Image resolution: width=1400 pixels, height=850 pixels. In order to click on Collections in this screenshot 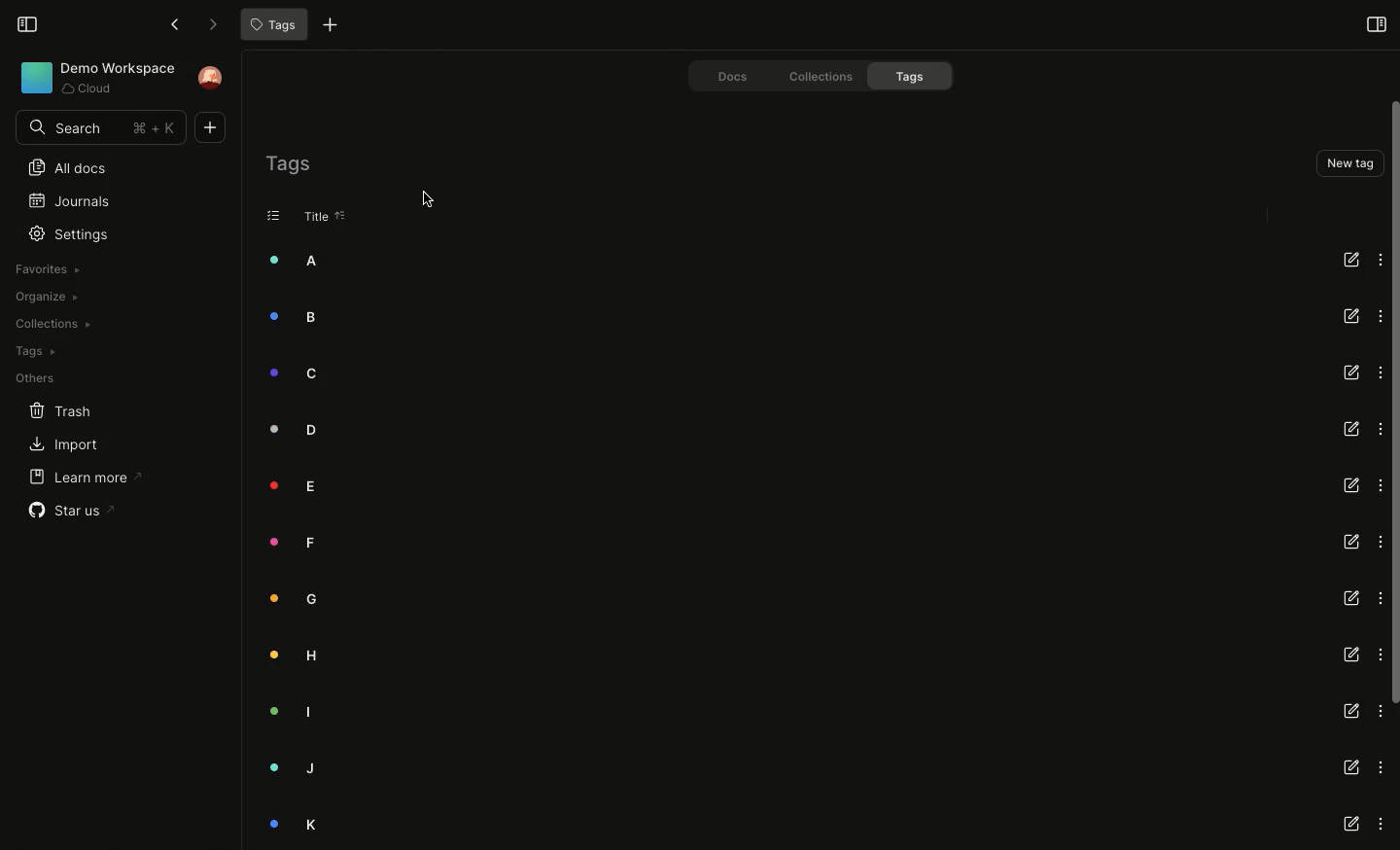, I will do `click(813, 75)`.